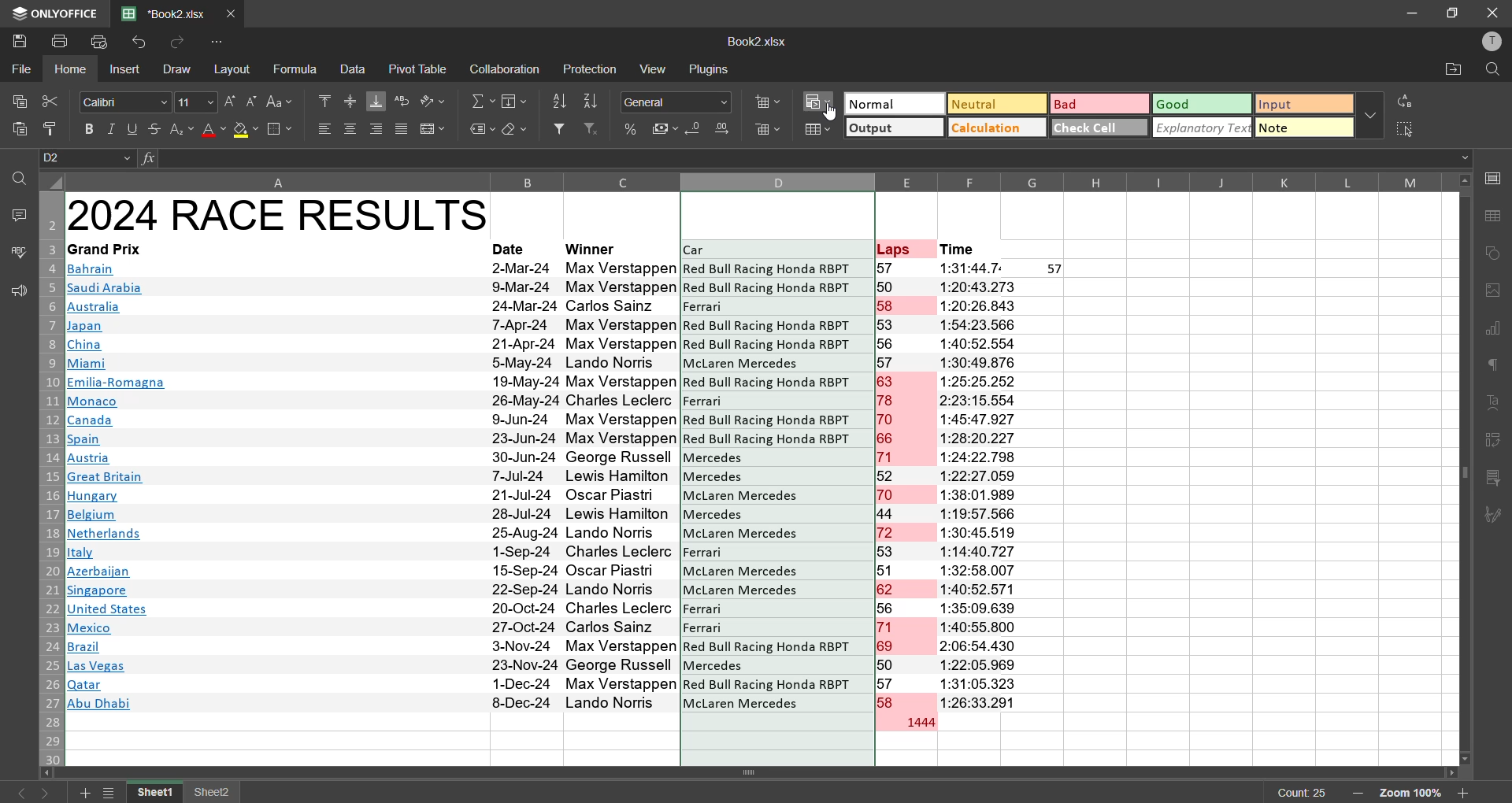 This screenshot has height=803, width=1512. What do you see at coordinates (1495, 404) in the screenshot?
I see `text` at bounding box center [1495, 404].